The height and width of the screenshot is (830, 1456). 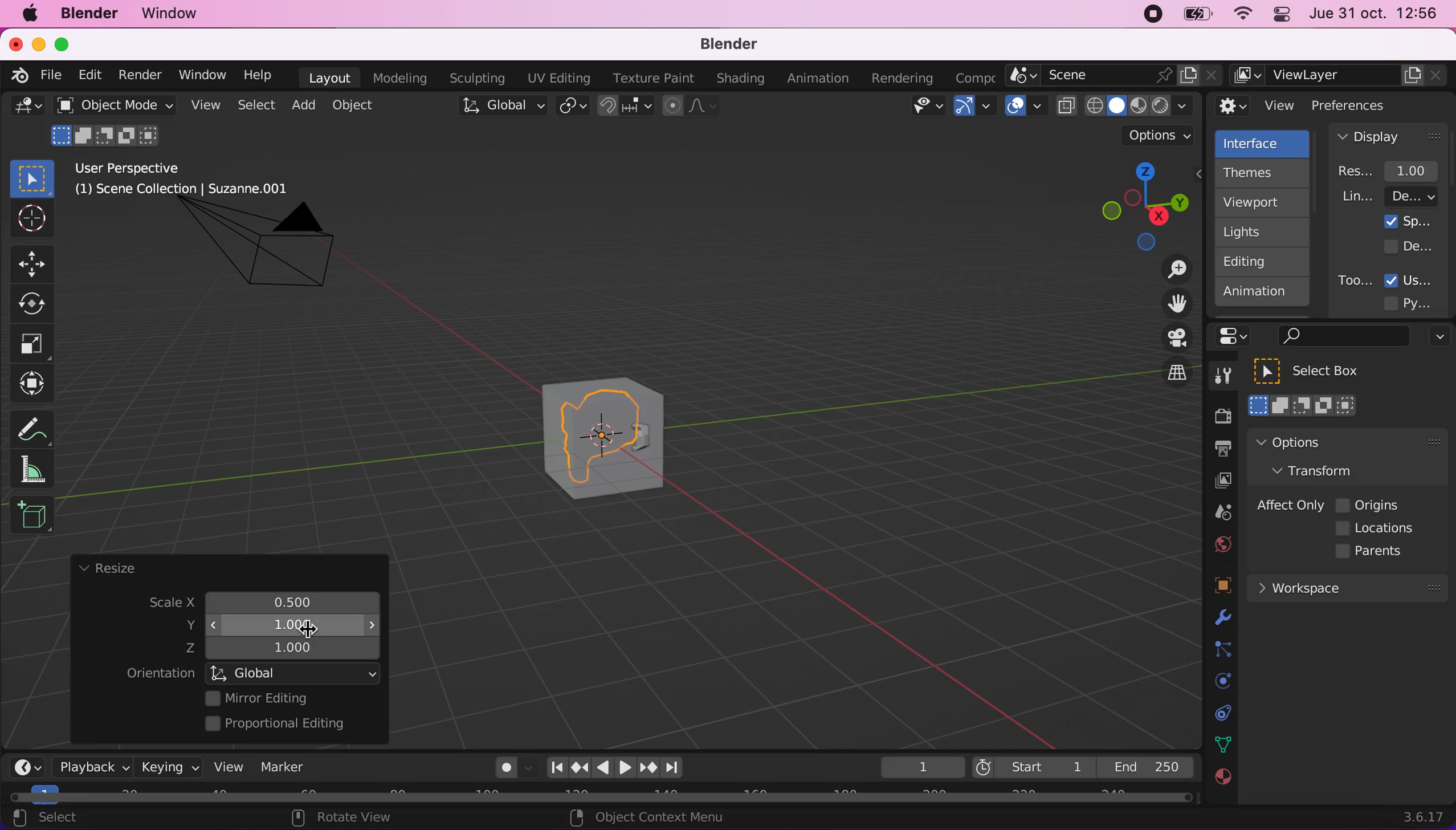 What do you see at coordinates (1261, 173) in the screenshot?
I see `themes` at bounding box center [1261, 173].